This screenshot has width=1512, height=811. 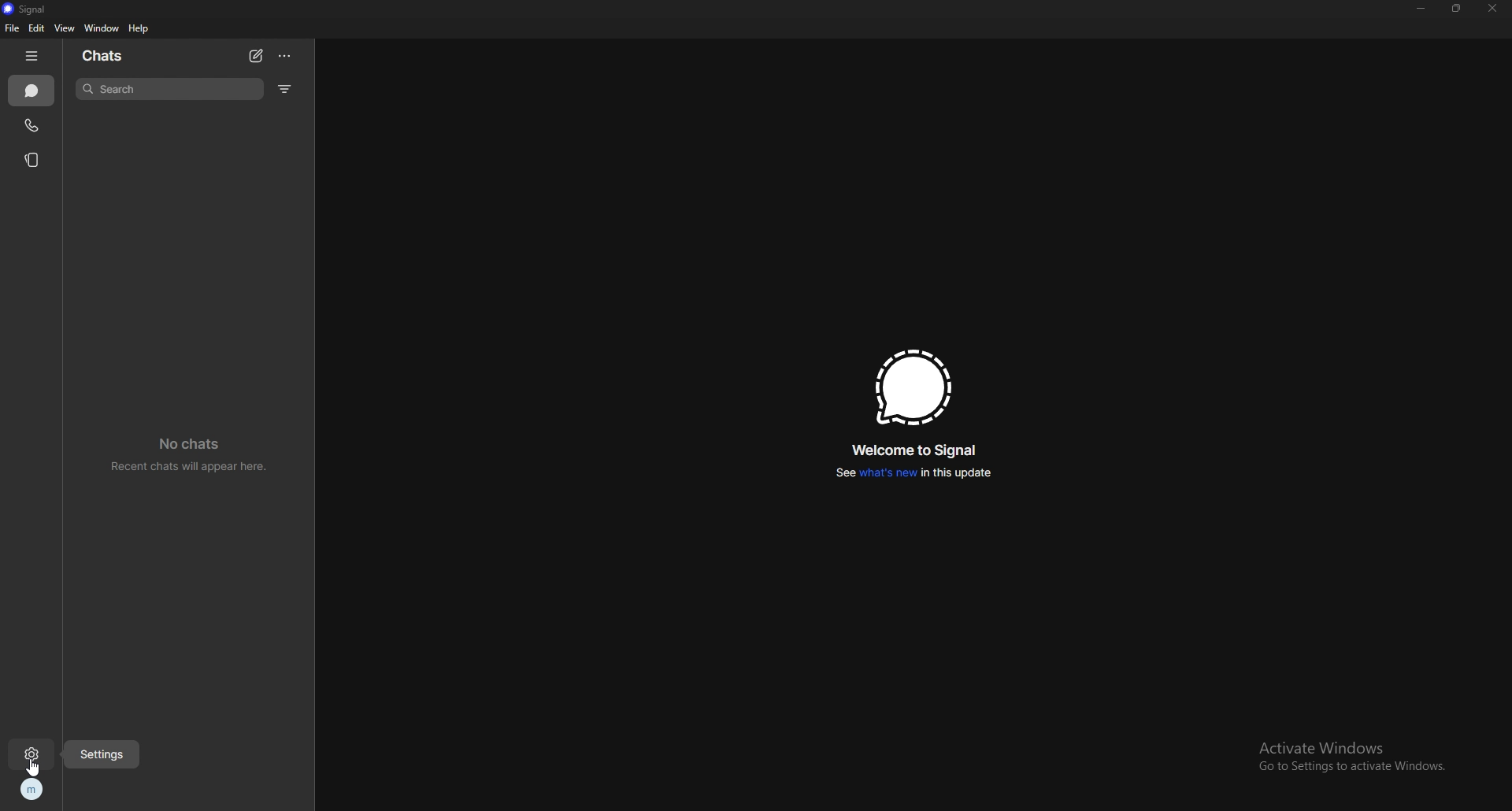 I want to click on cursor, so click(x=36, y=768).